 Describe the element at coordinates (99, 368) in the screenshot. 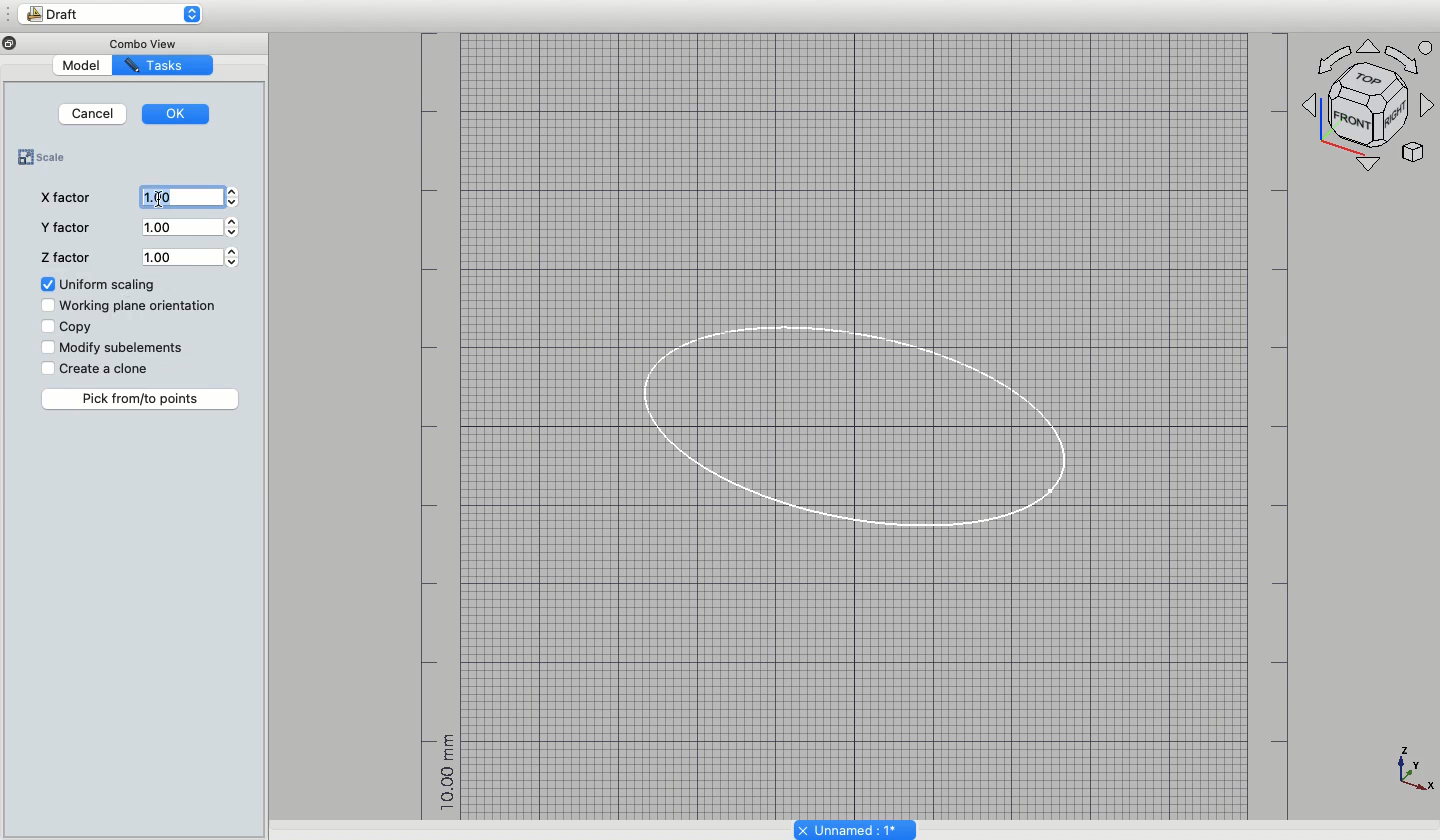

I see `Create a clone` at that location.